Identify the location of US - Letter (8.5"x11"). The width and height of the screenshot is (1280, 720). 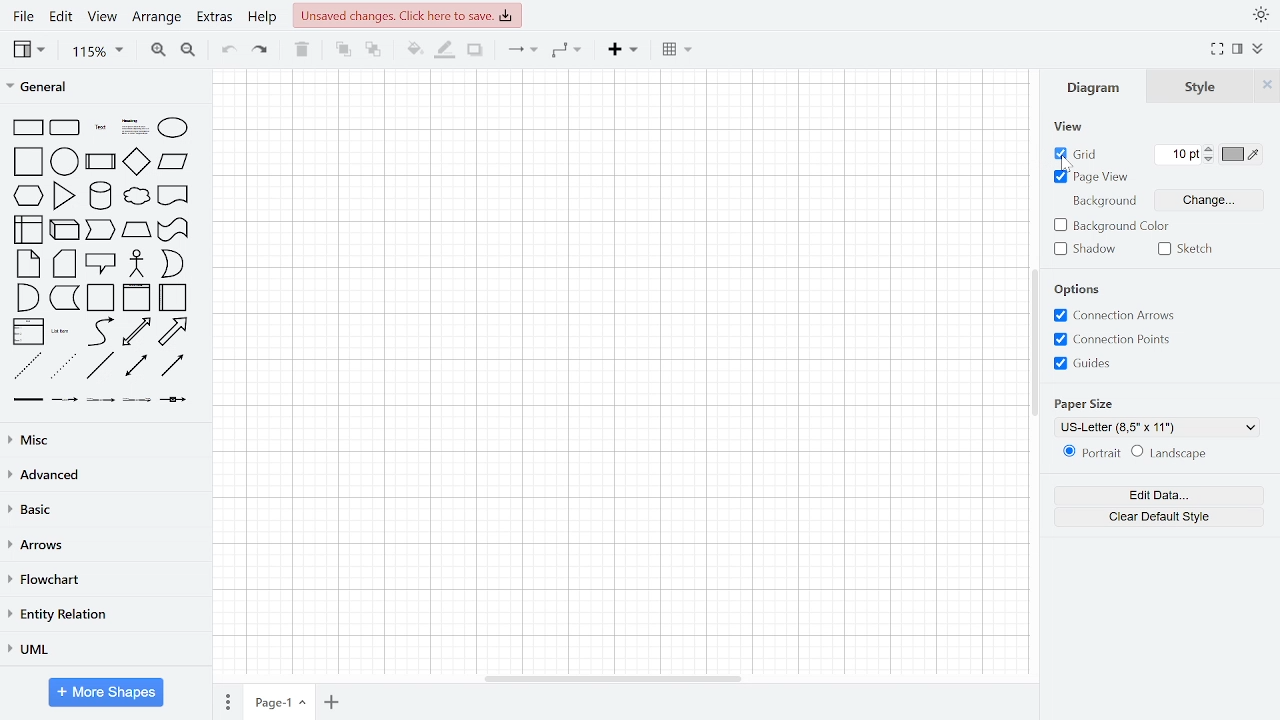
(1155, 427).